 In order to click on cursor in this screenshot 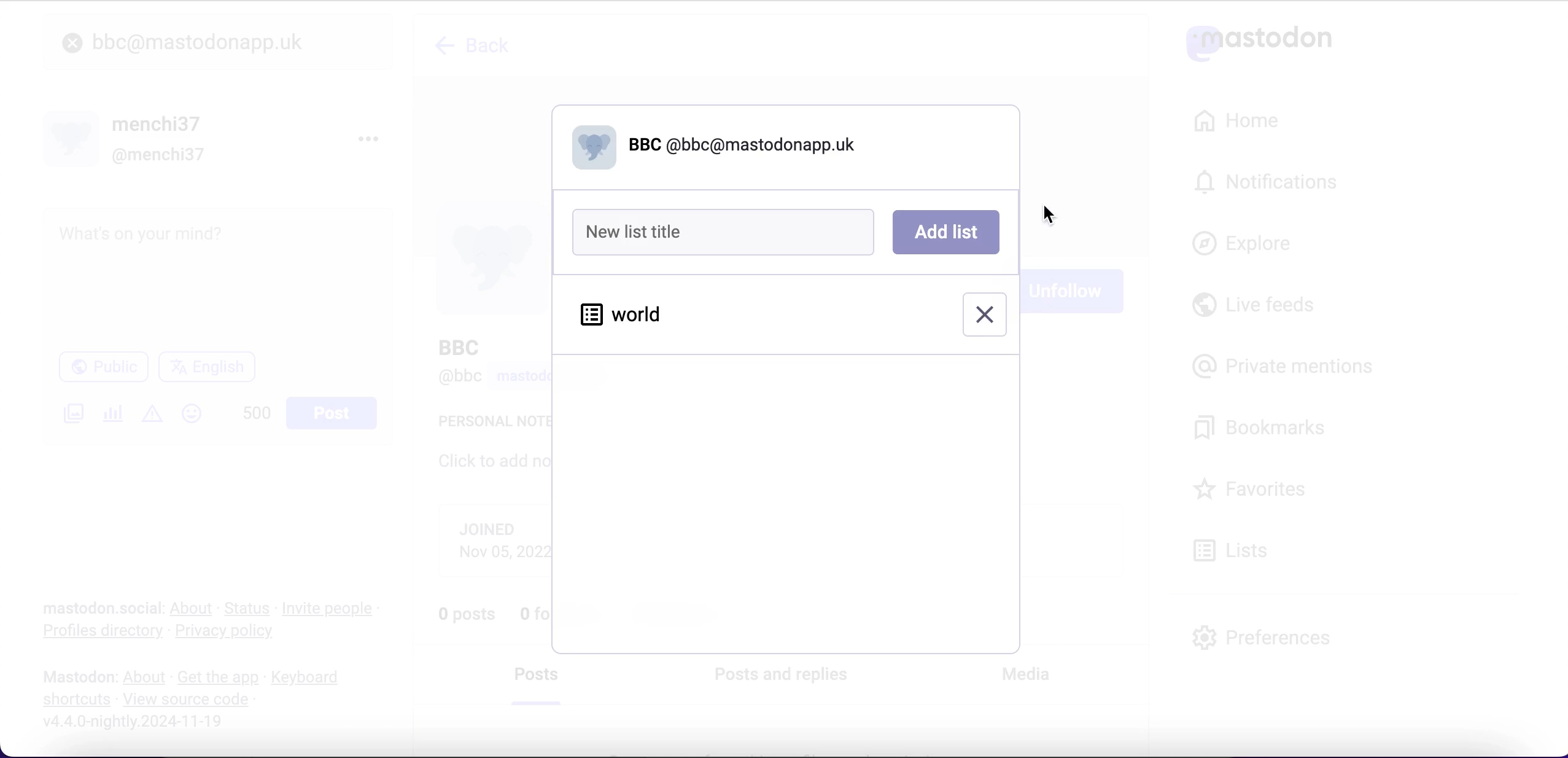, I will do `click(1047, 214)`.